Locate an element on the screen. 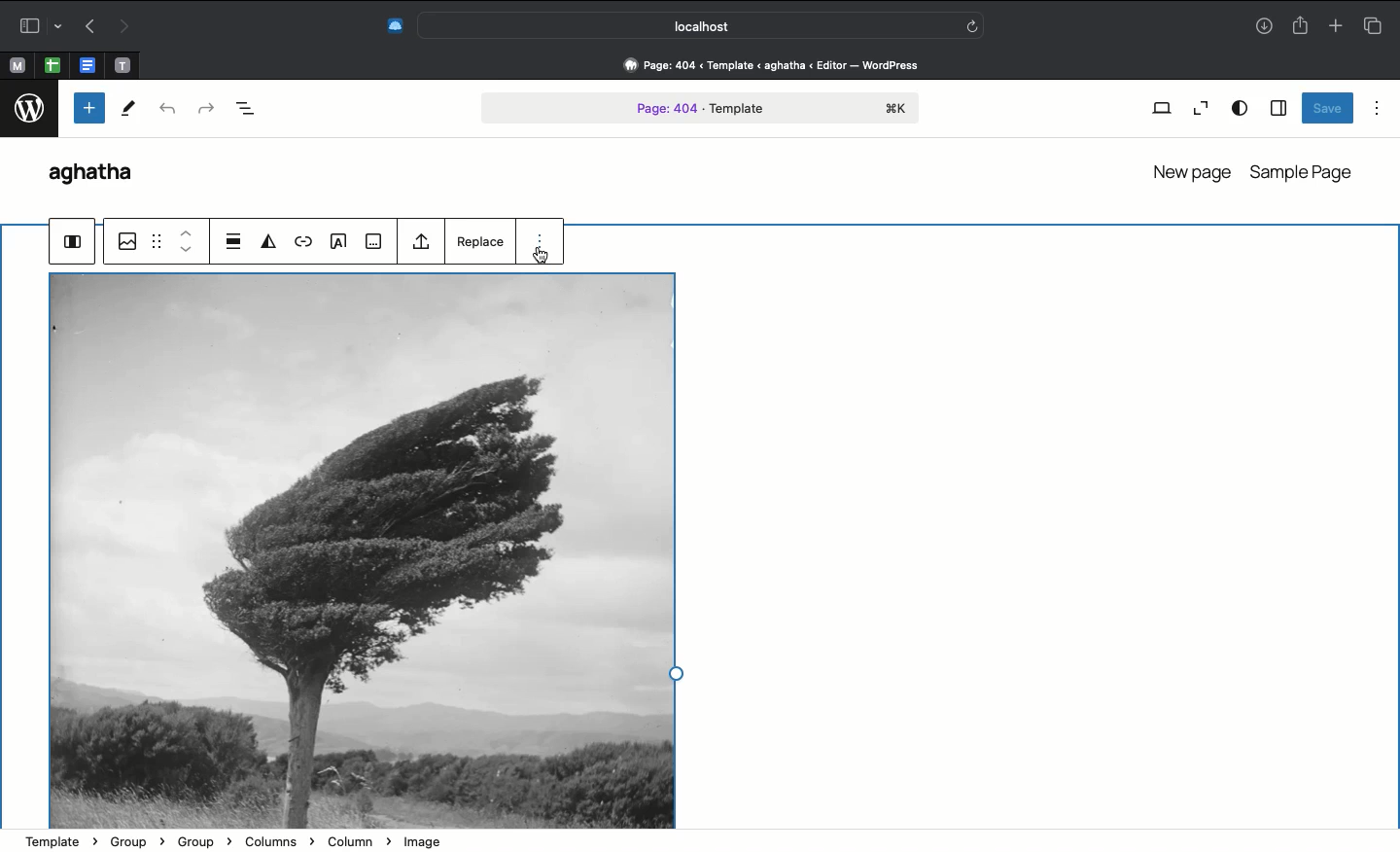  Address is located at coordinates (761, 65).